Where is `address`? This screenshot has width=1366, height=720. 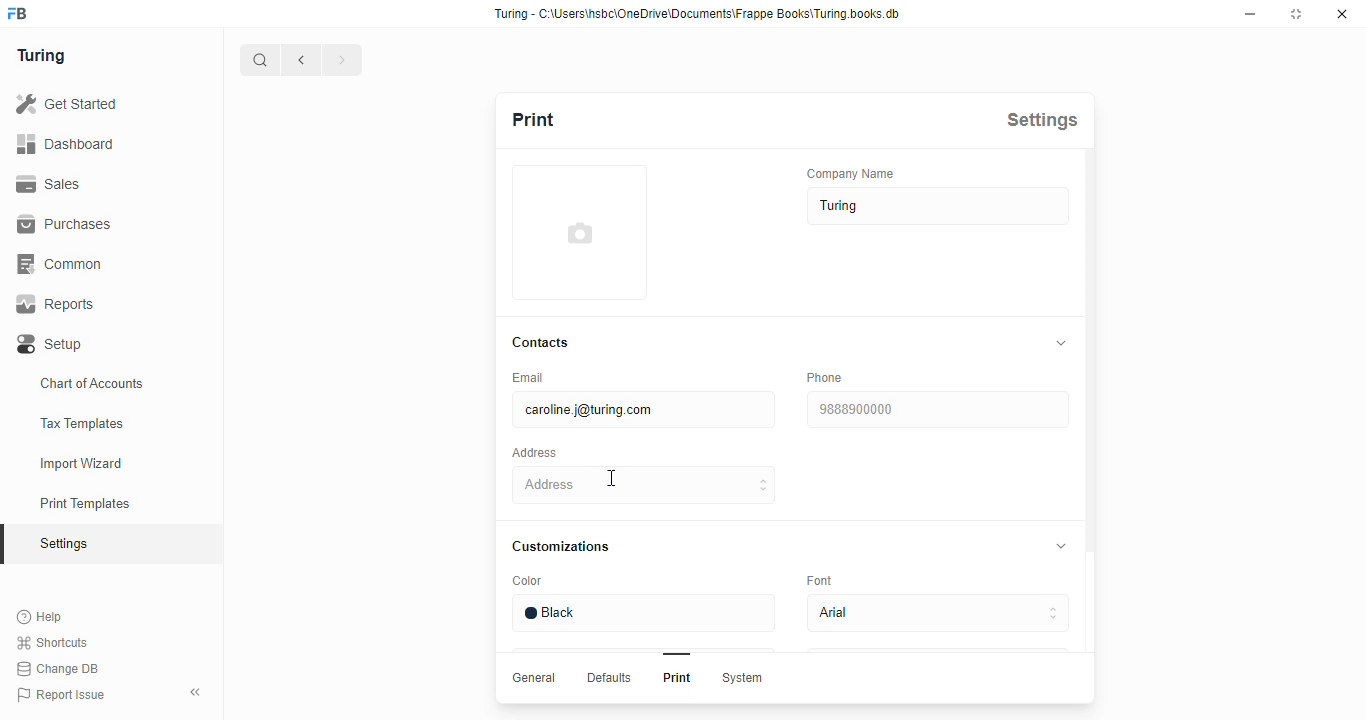 address is located at coordinates (643, 485).